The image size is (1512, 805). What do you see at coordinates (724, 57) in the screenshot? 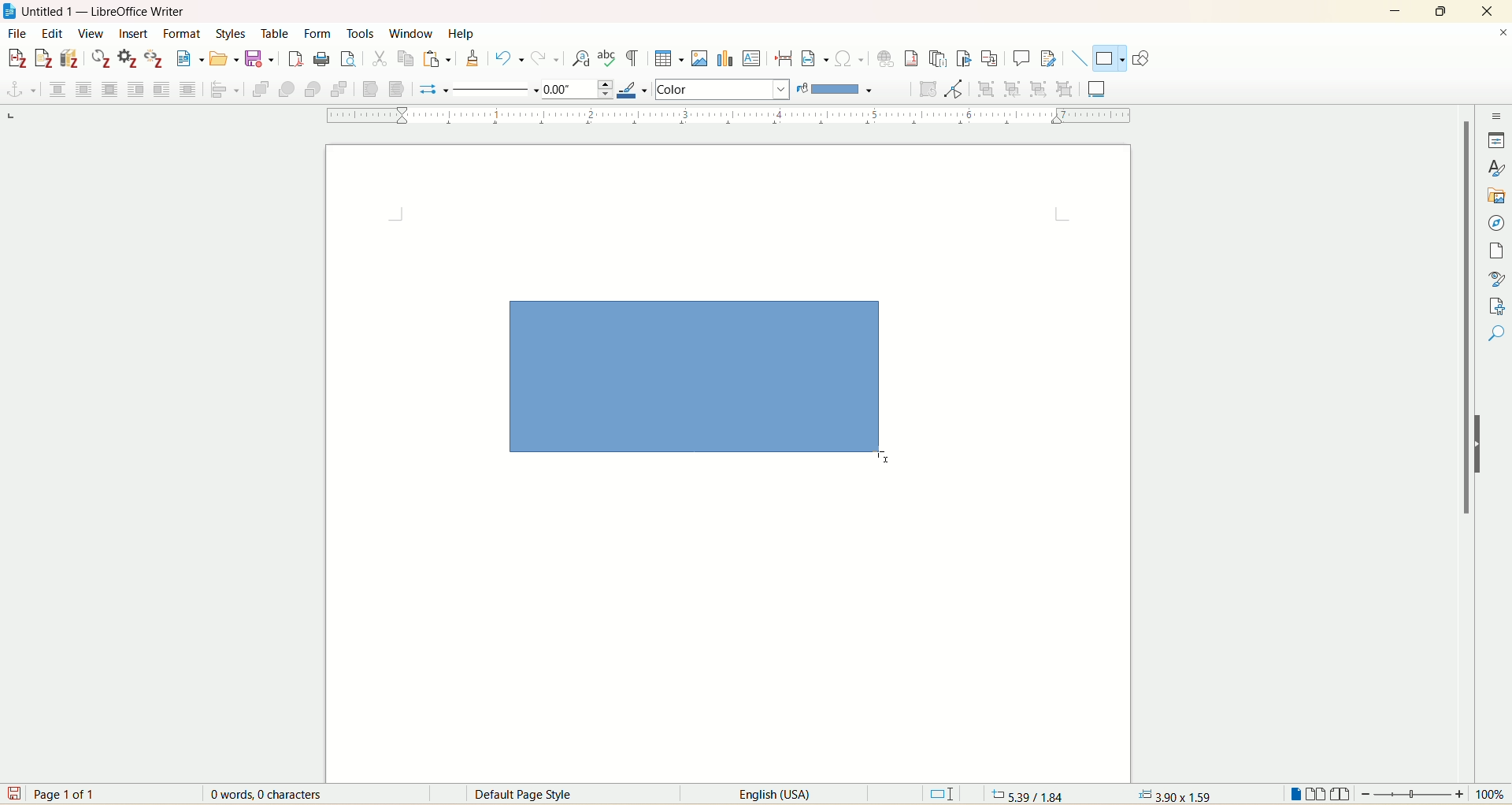
I see `insert chart` at bounding box center [724, 57].